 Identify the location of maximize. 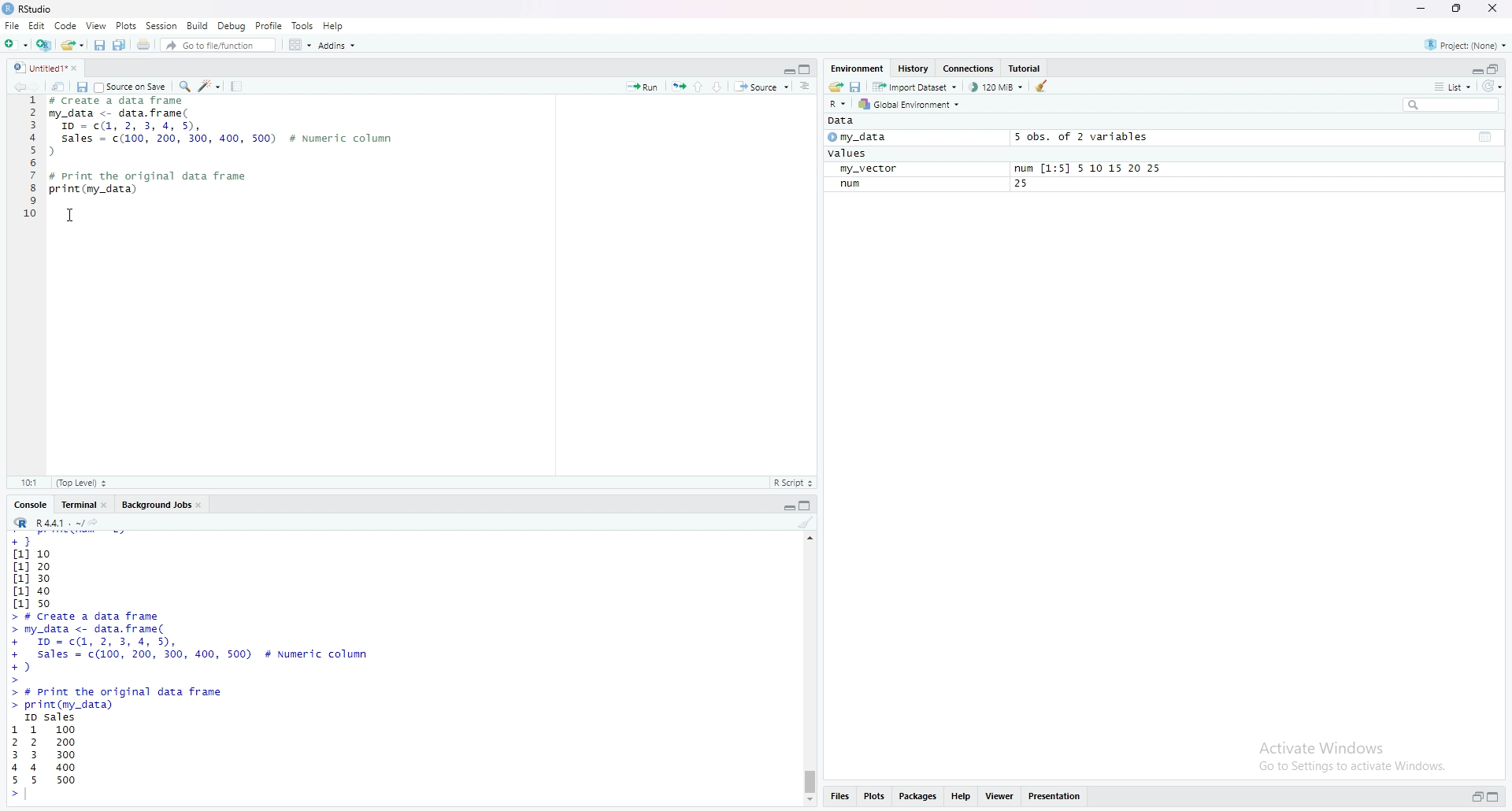
(1499, 68).